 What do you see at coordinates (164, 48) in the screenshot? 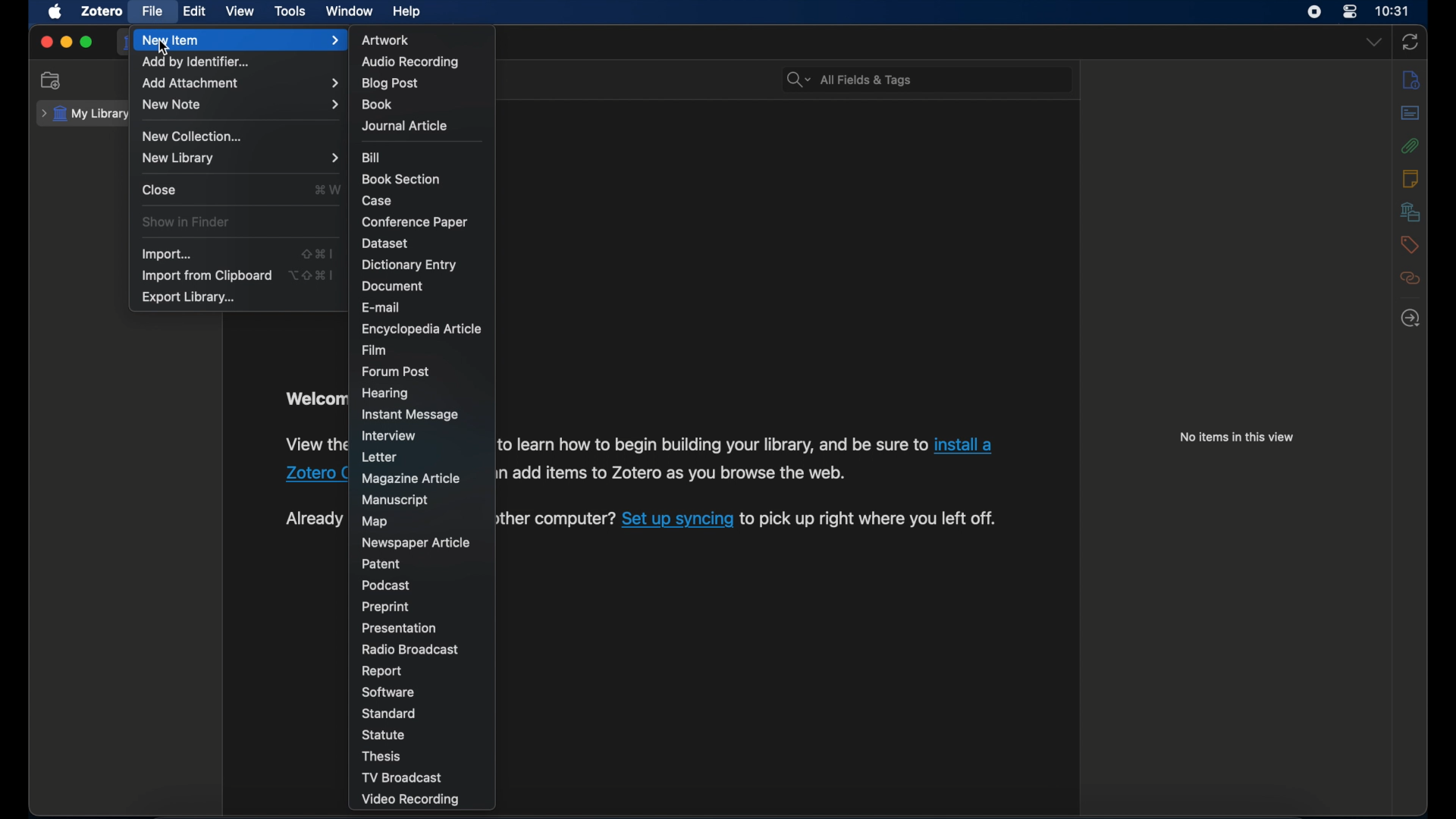
I see `cursor` at bounding box center [164, 48].